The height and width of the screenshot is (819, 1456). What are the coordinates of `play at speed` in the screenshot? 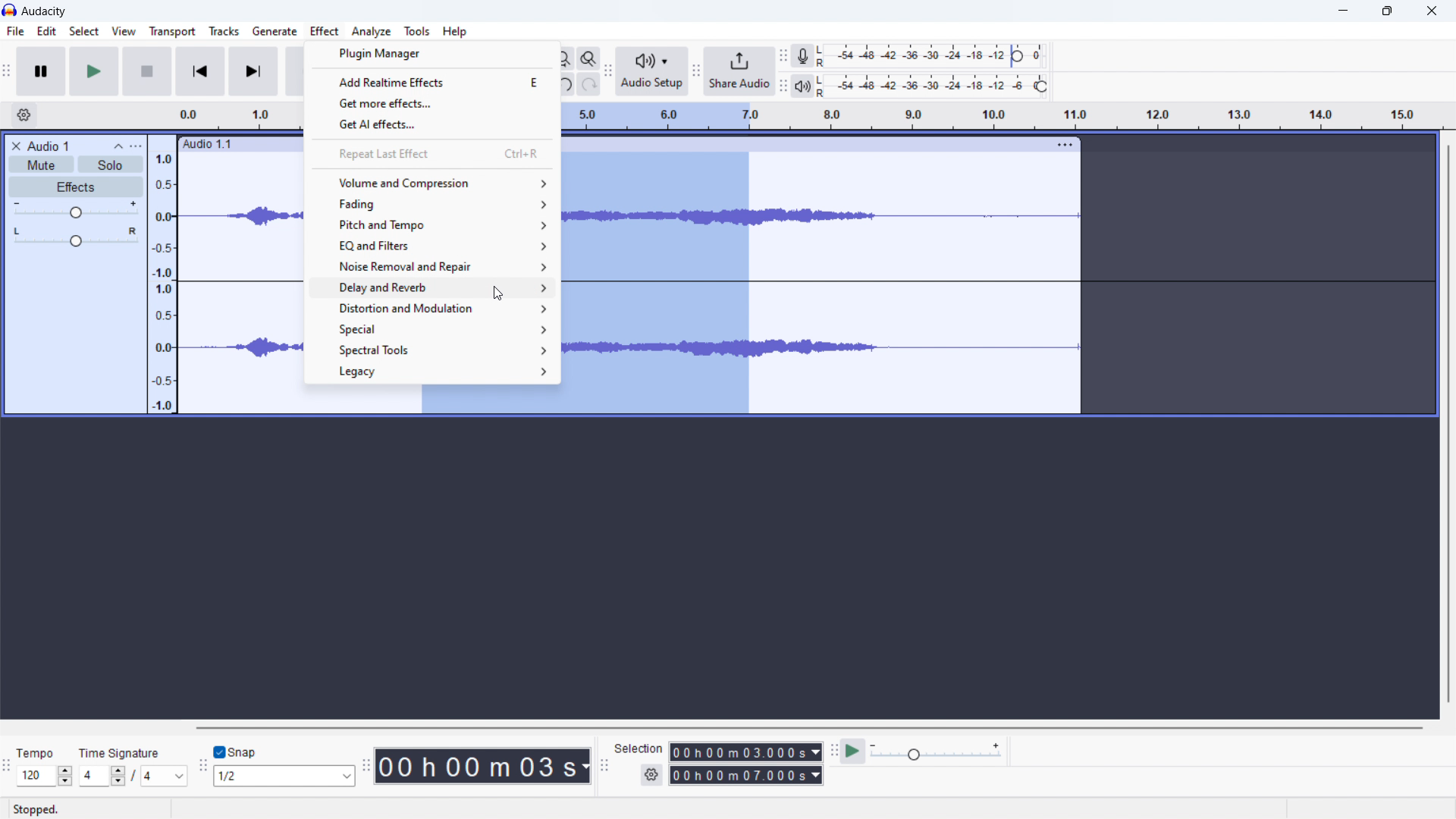 It's located at (853, 752).